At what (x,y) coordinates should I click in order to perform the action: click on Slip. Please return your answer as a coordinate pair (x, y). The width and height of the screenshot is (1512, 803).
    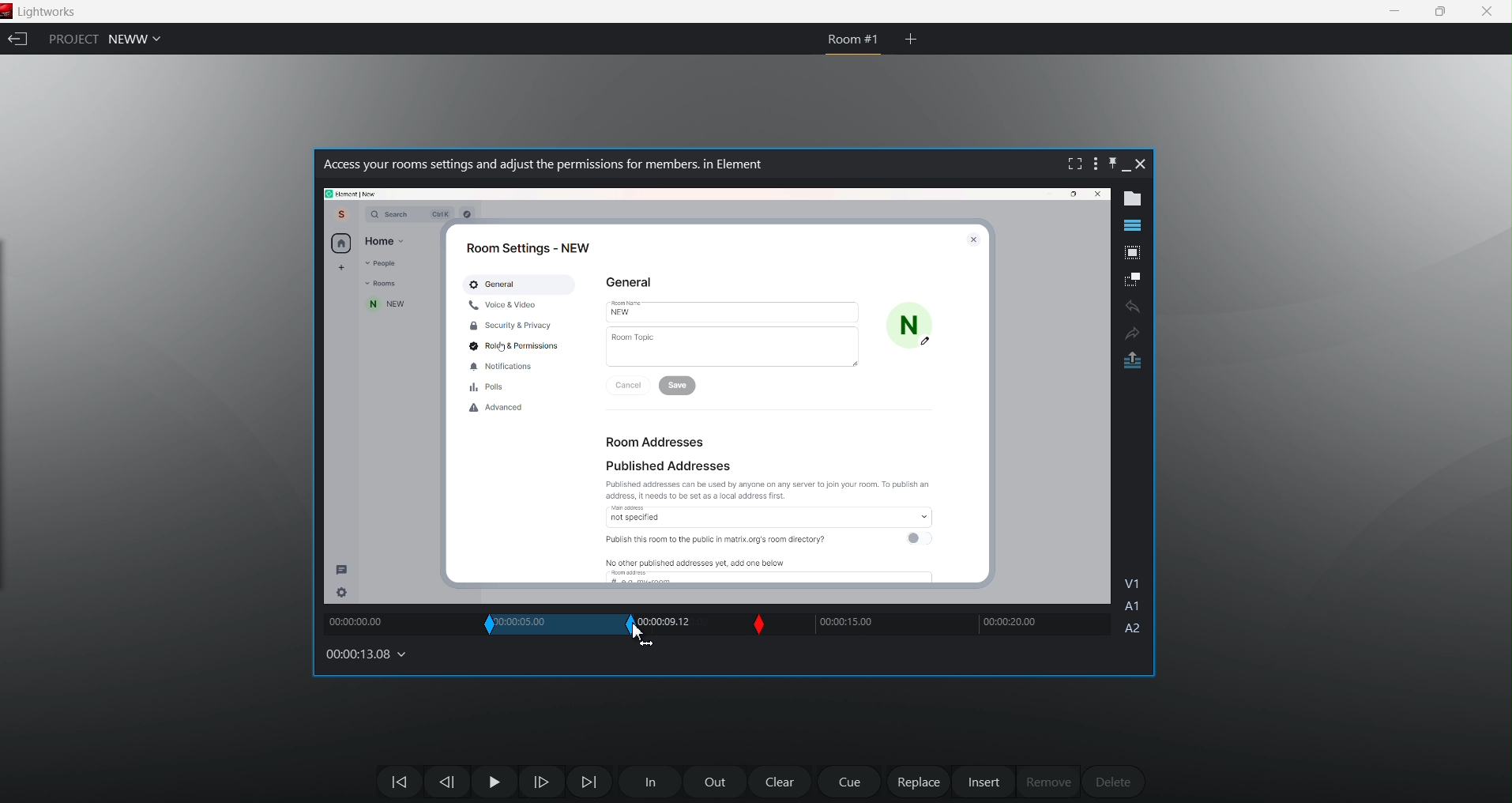
    Looking at the image, I should click on (758, 625).